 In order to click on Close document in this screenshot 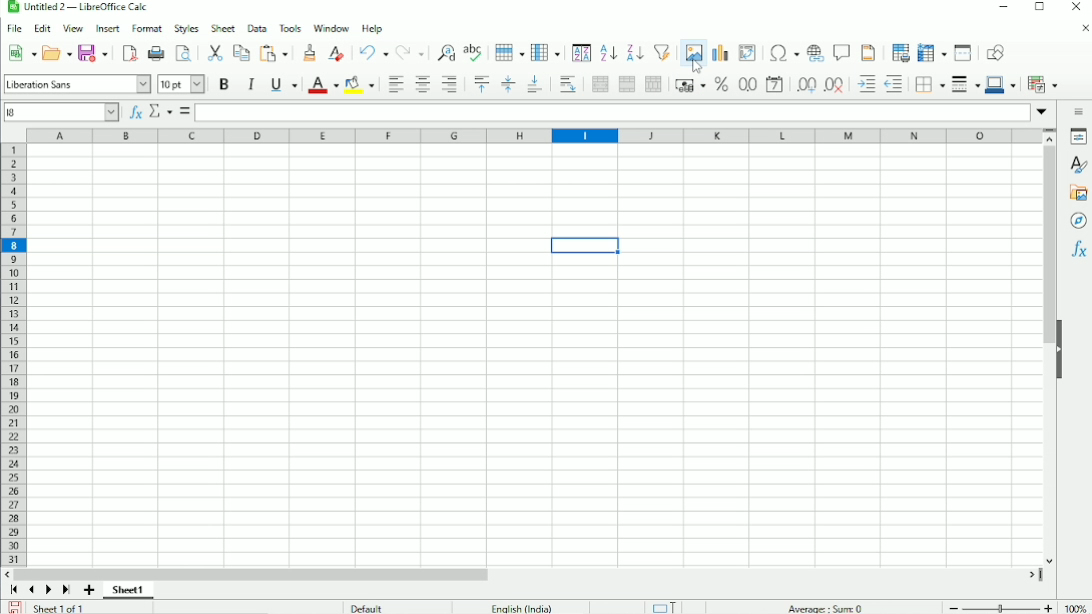, I will do `click(1081, 29)`.